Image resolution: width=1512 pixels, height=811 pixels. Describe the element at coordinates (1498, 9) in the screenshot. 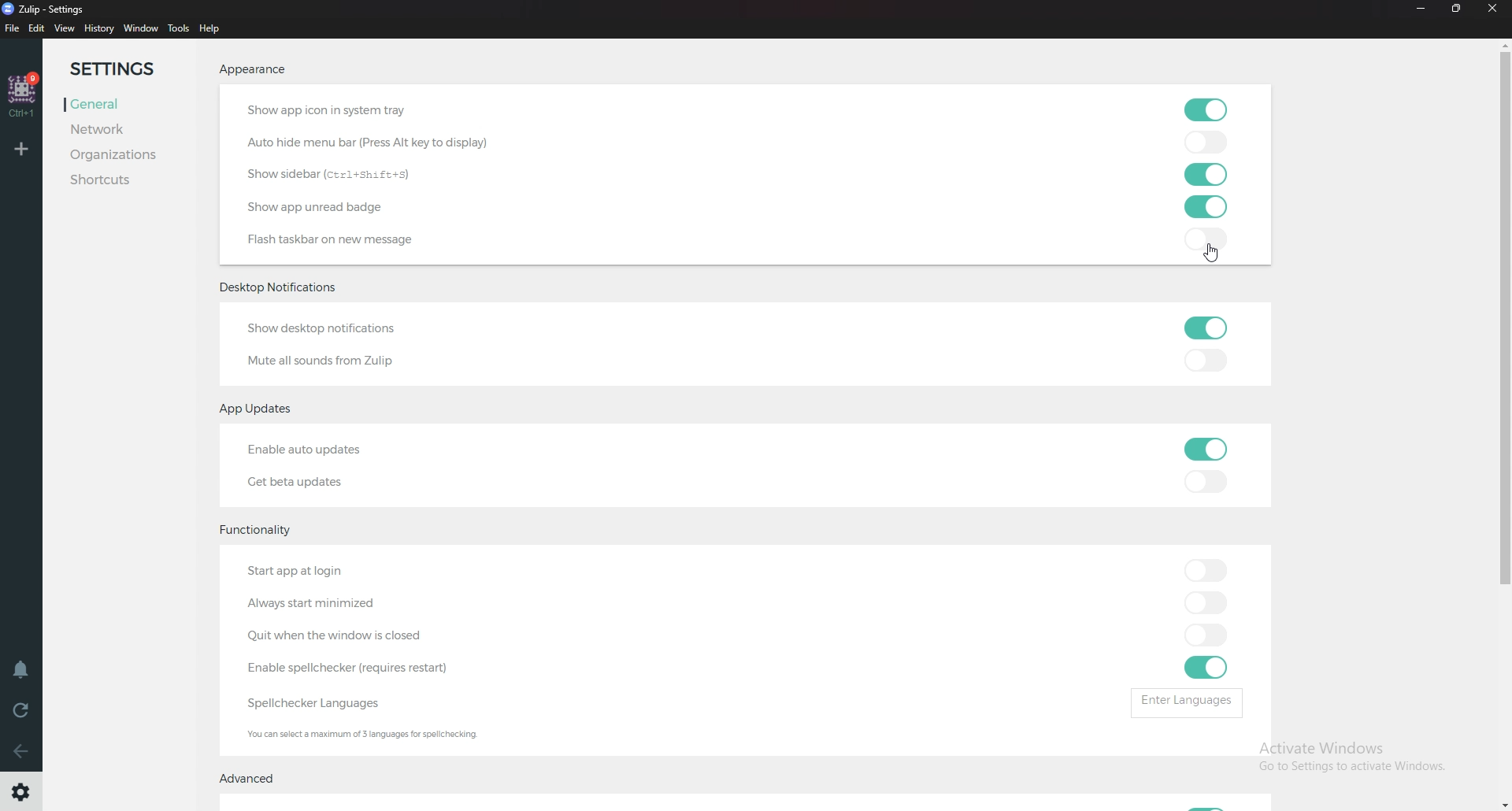

I see `close` at that location.